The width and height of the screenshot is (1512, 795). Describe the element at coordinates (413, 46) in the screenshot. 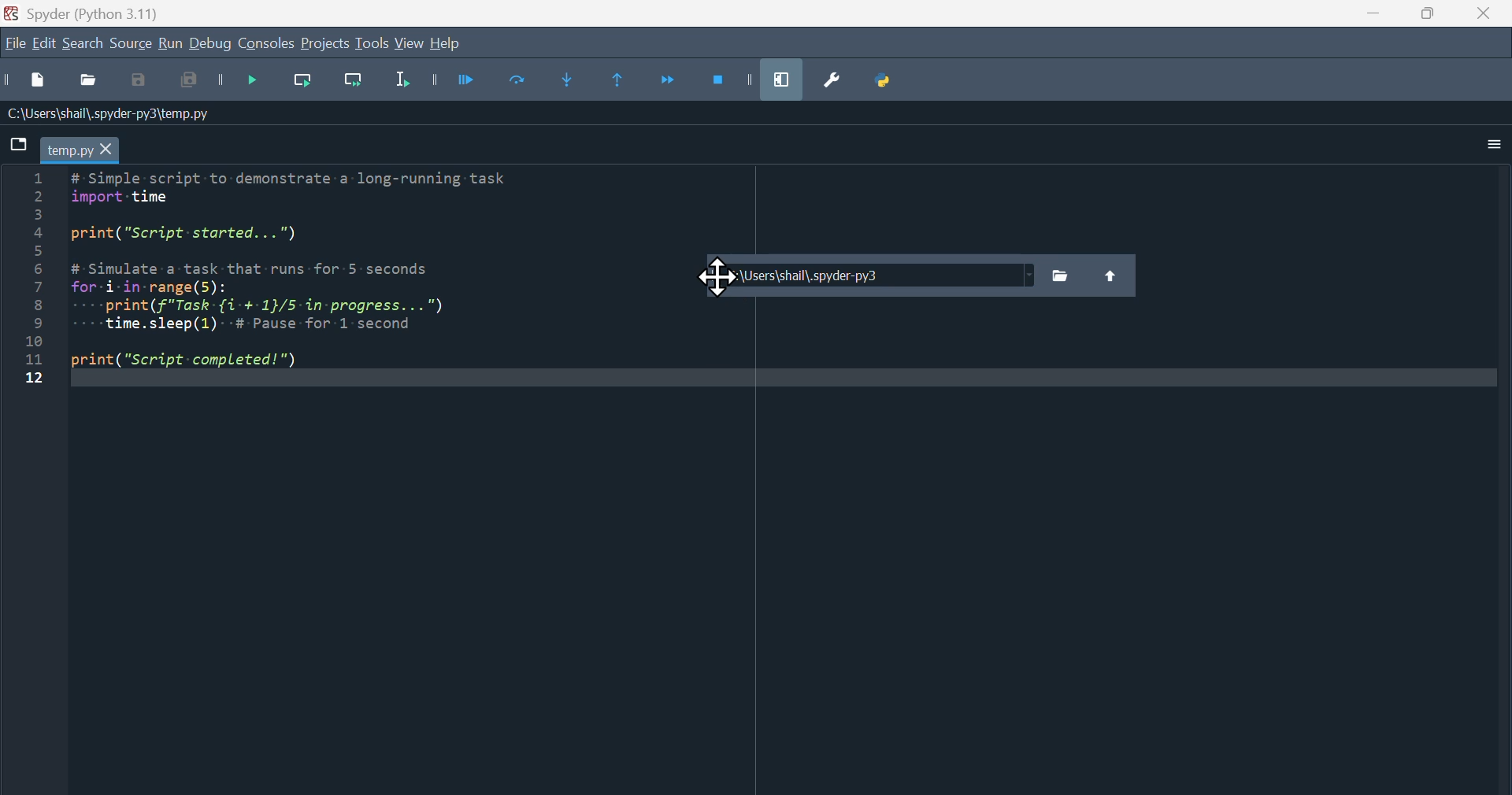

I see `View` at that location.